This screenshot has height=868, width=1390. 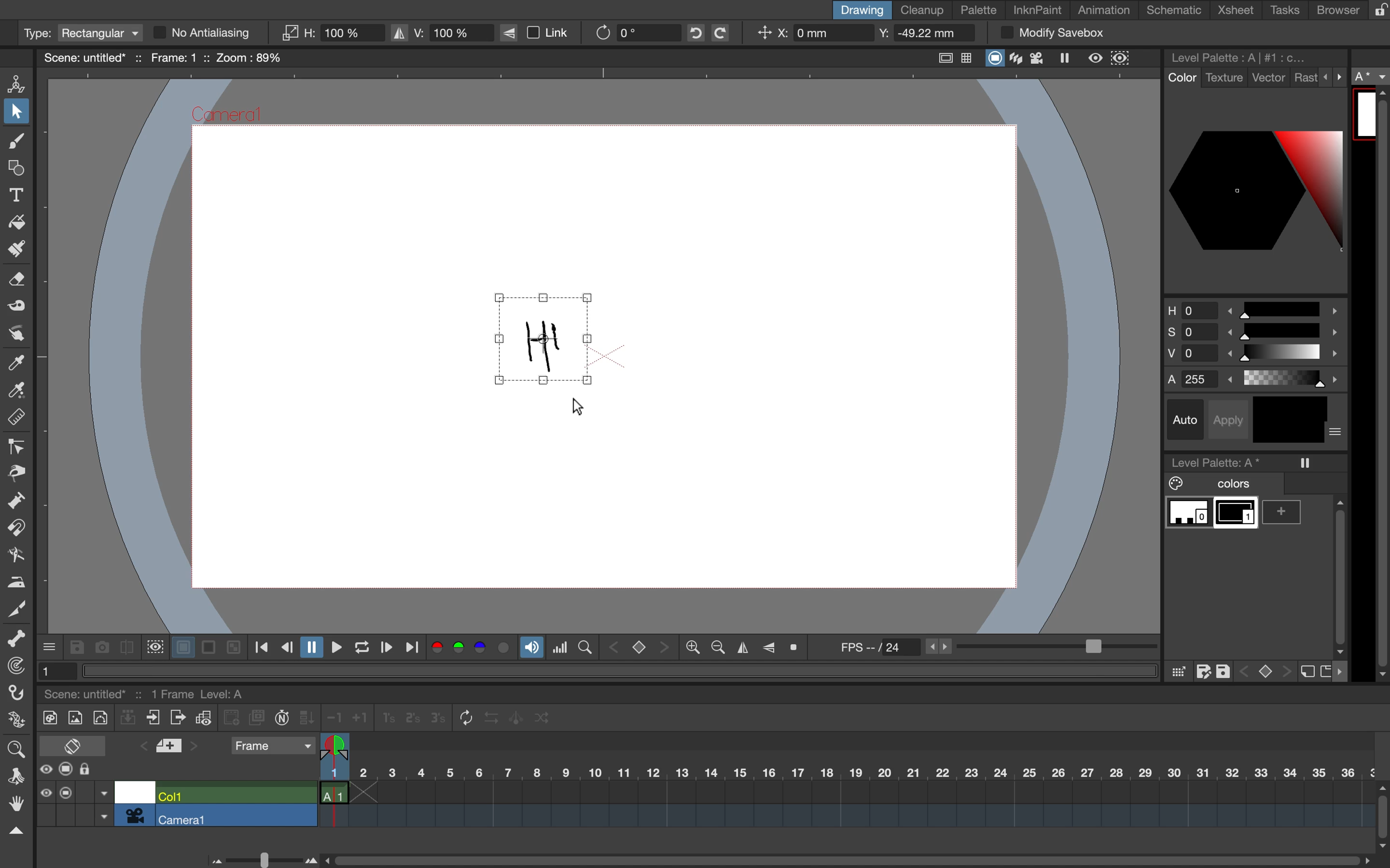 What do you see at coordinates (332, 33) in the screenshot?
I see `horizontal scaling` at bounding box center [332, 33].